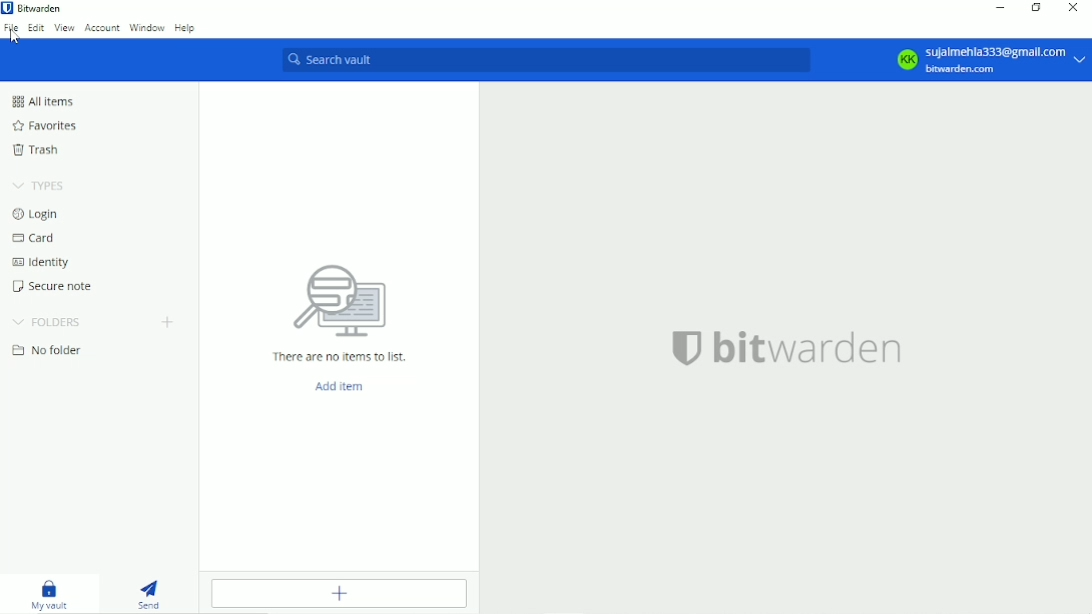  I want to click on Search vault, so click(550, 57).